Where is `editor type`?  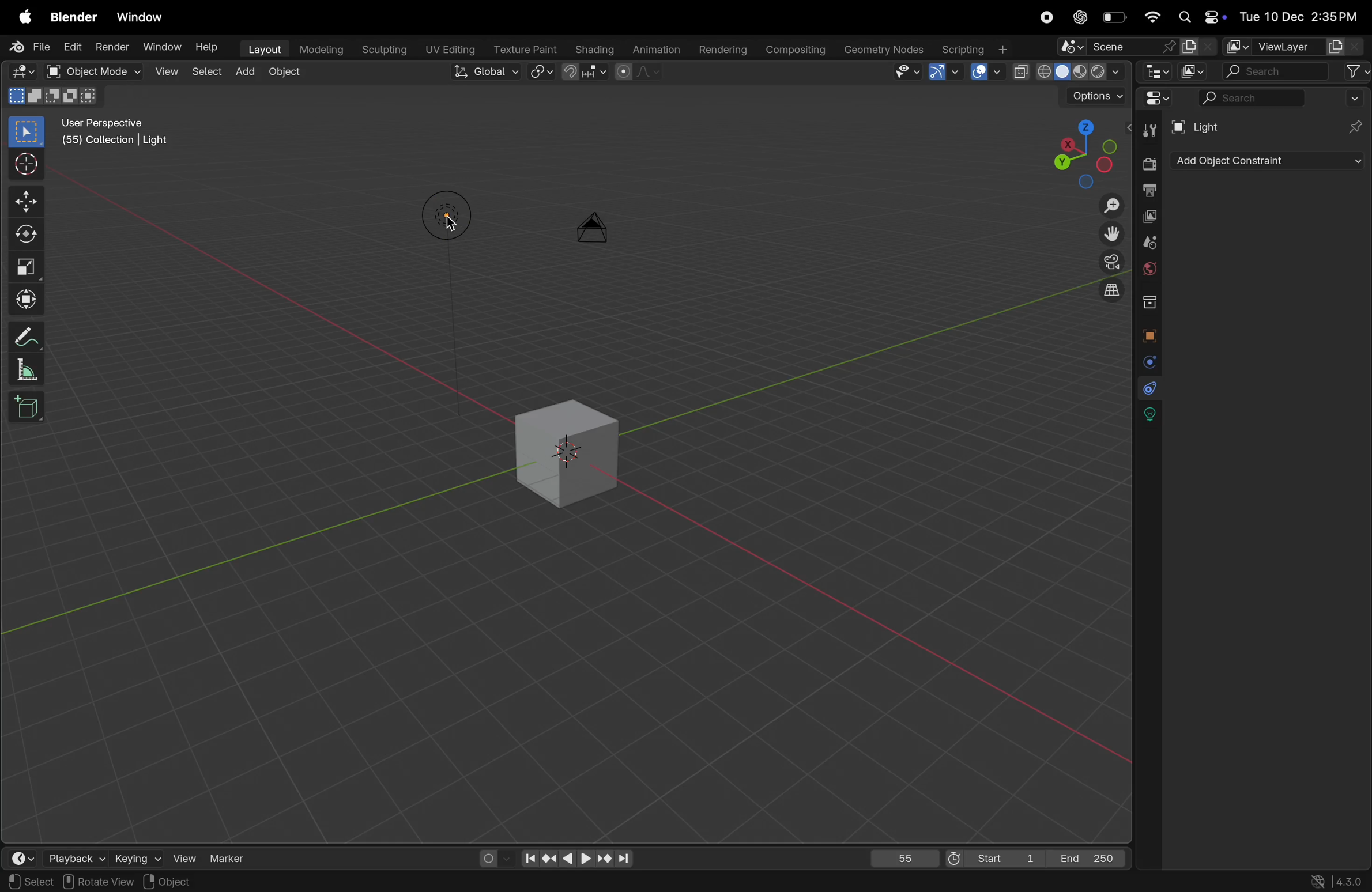
editor type is located at coordinates (1155, 71).